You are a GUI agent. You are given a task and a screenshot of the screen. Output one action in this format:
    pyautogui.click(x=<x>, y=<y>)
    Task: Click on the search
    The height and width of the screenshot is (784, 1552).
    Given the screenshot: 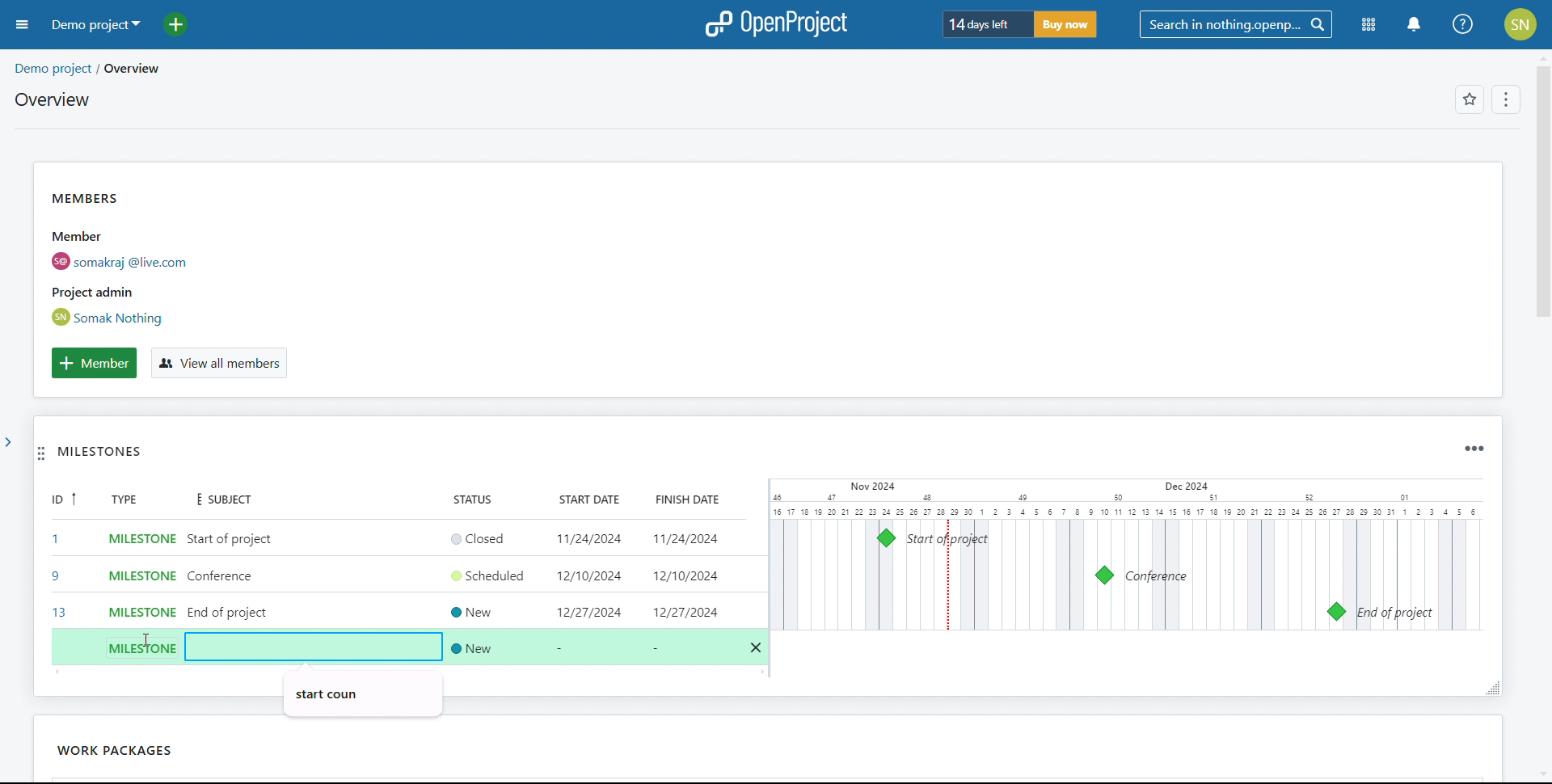 What is the action you would take?
    pyautogui.click(x=1235, y=25)
    